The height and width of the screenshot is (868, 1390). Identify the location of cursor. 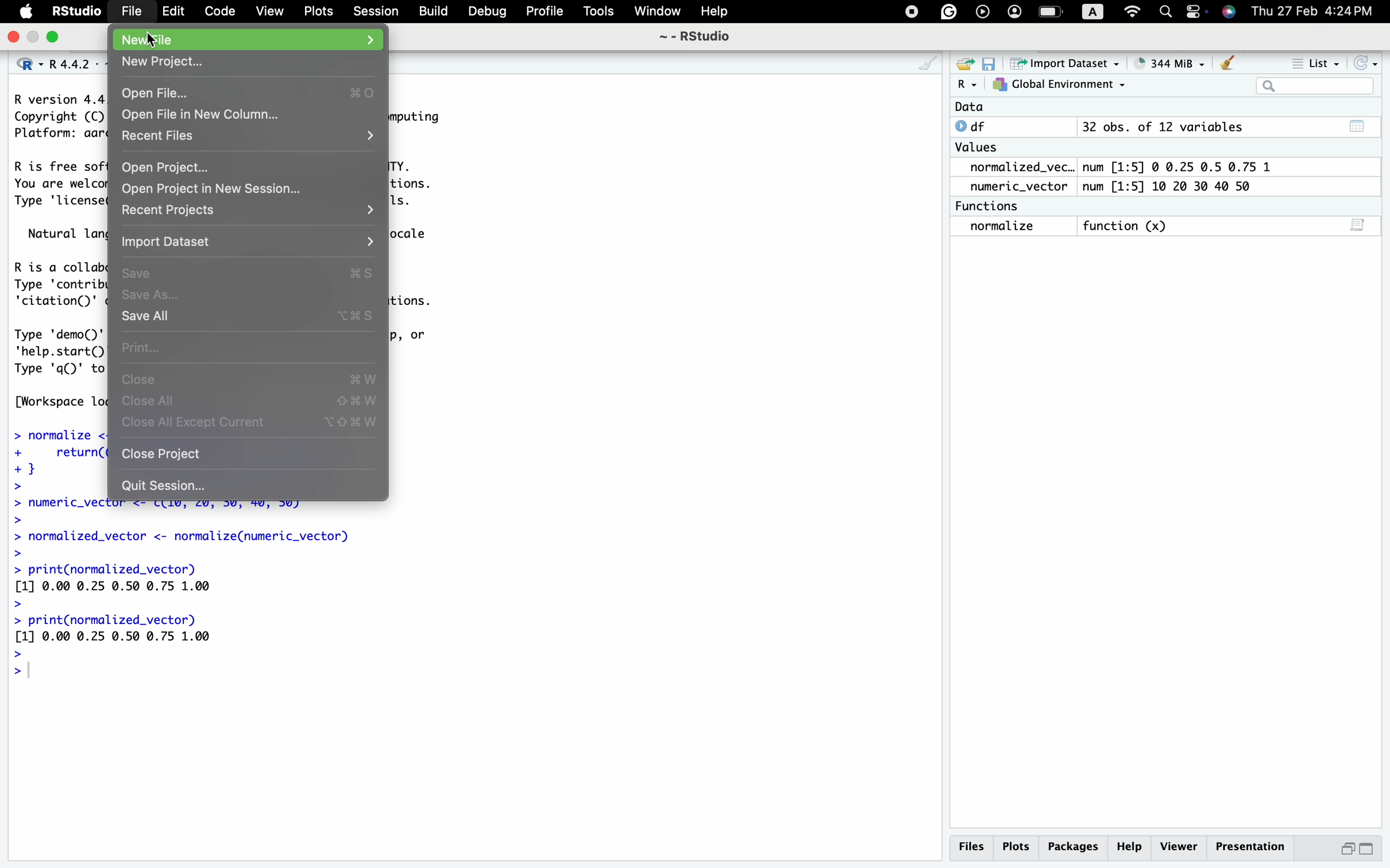
(155, 41).